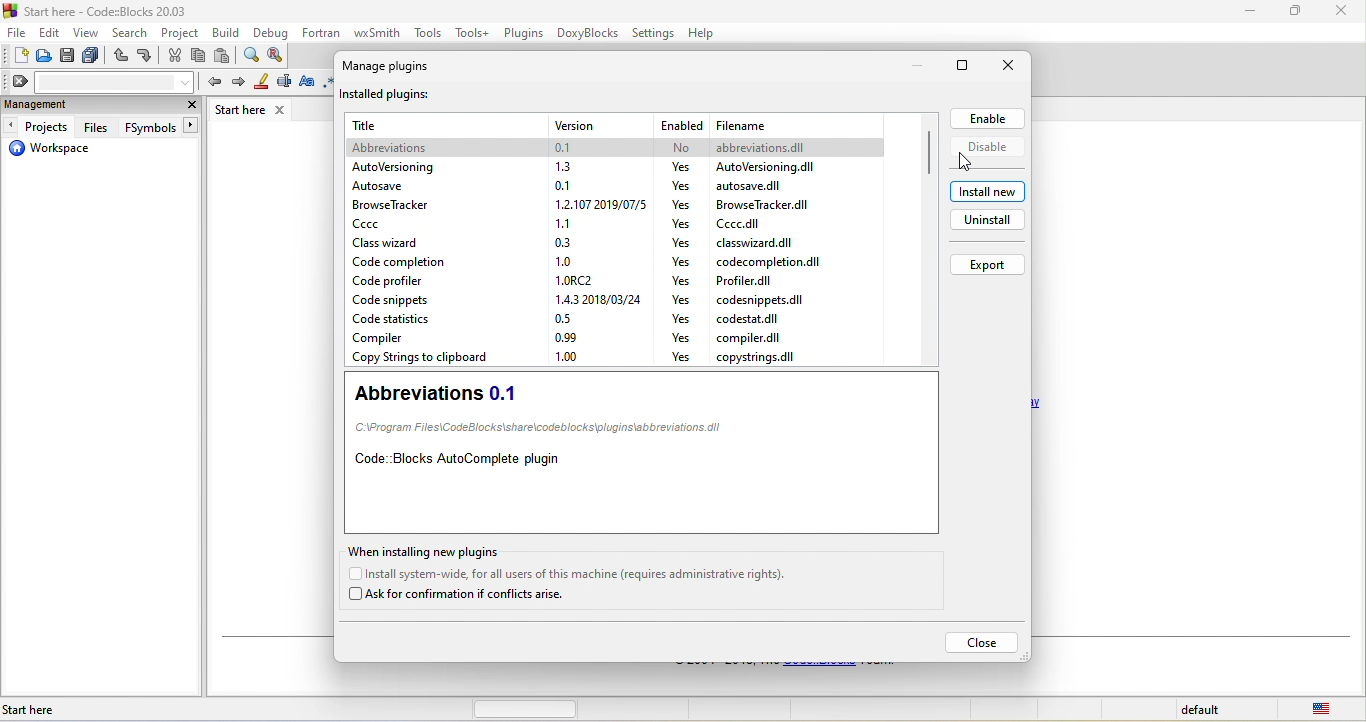 This screenshot has height=722, width=1366. Describe the element at coordinates (45, 56) in the screenshot. I see `open` at that location.